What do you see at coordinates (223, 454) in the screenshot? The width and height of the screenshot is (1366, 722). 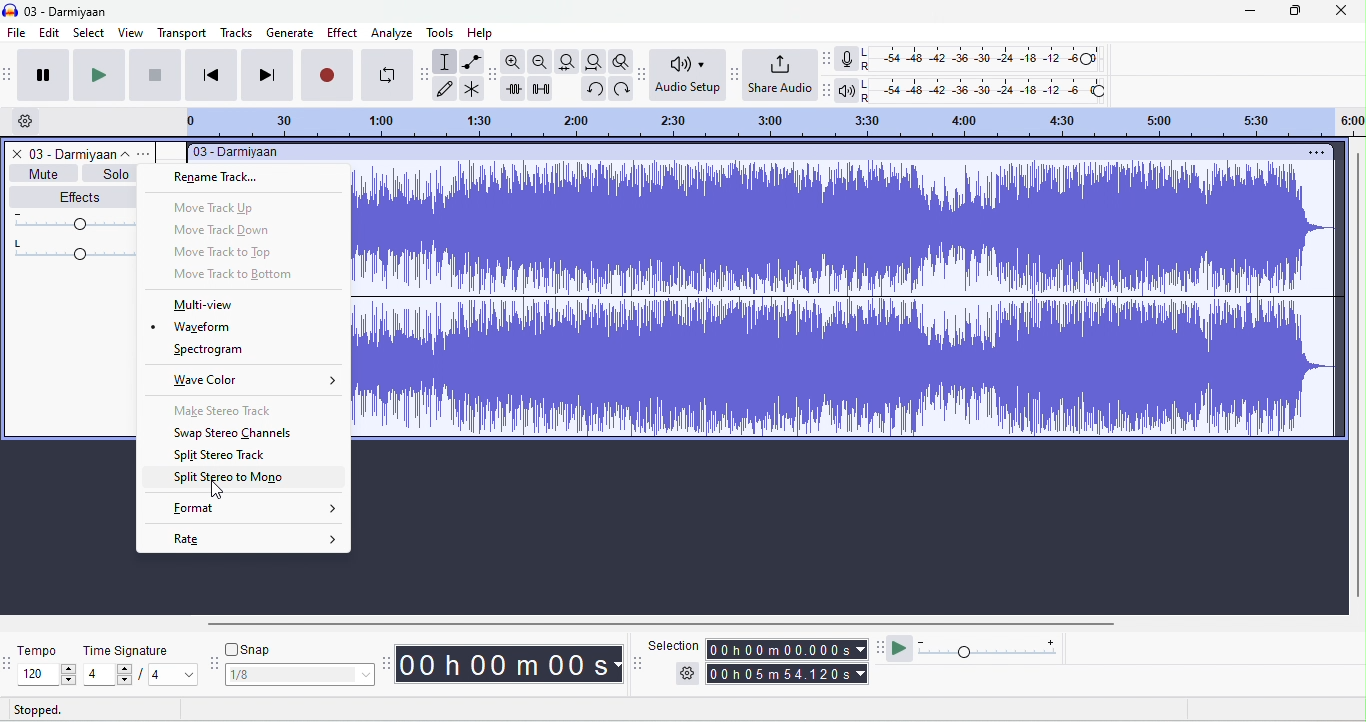 I see `split stereo track` at bounding box center [223, 454].